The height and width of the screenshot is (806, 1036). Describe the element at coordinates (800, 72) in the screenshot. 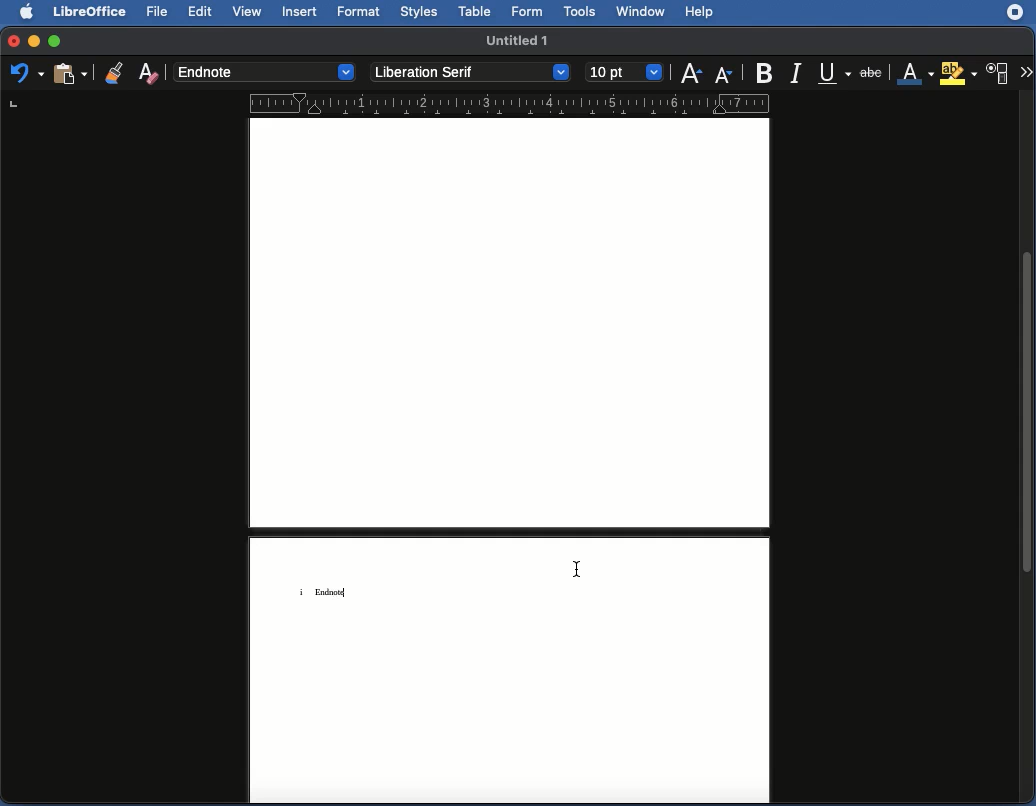

I see `Italics` at that location.